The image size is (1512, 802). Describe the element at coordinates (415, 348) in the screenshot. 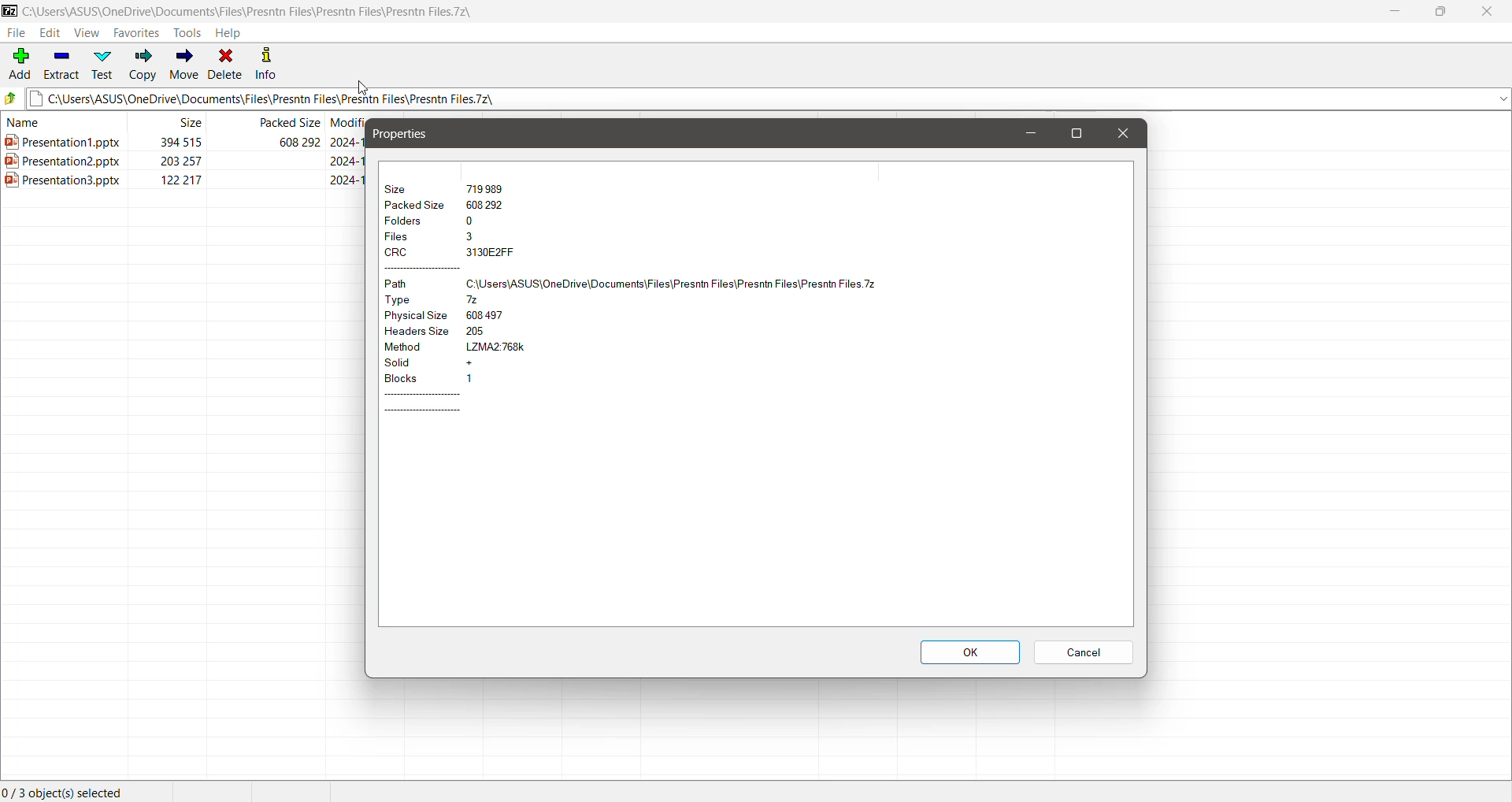

I see ` Method` at that location.